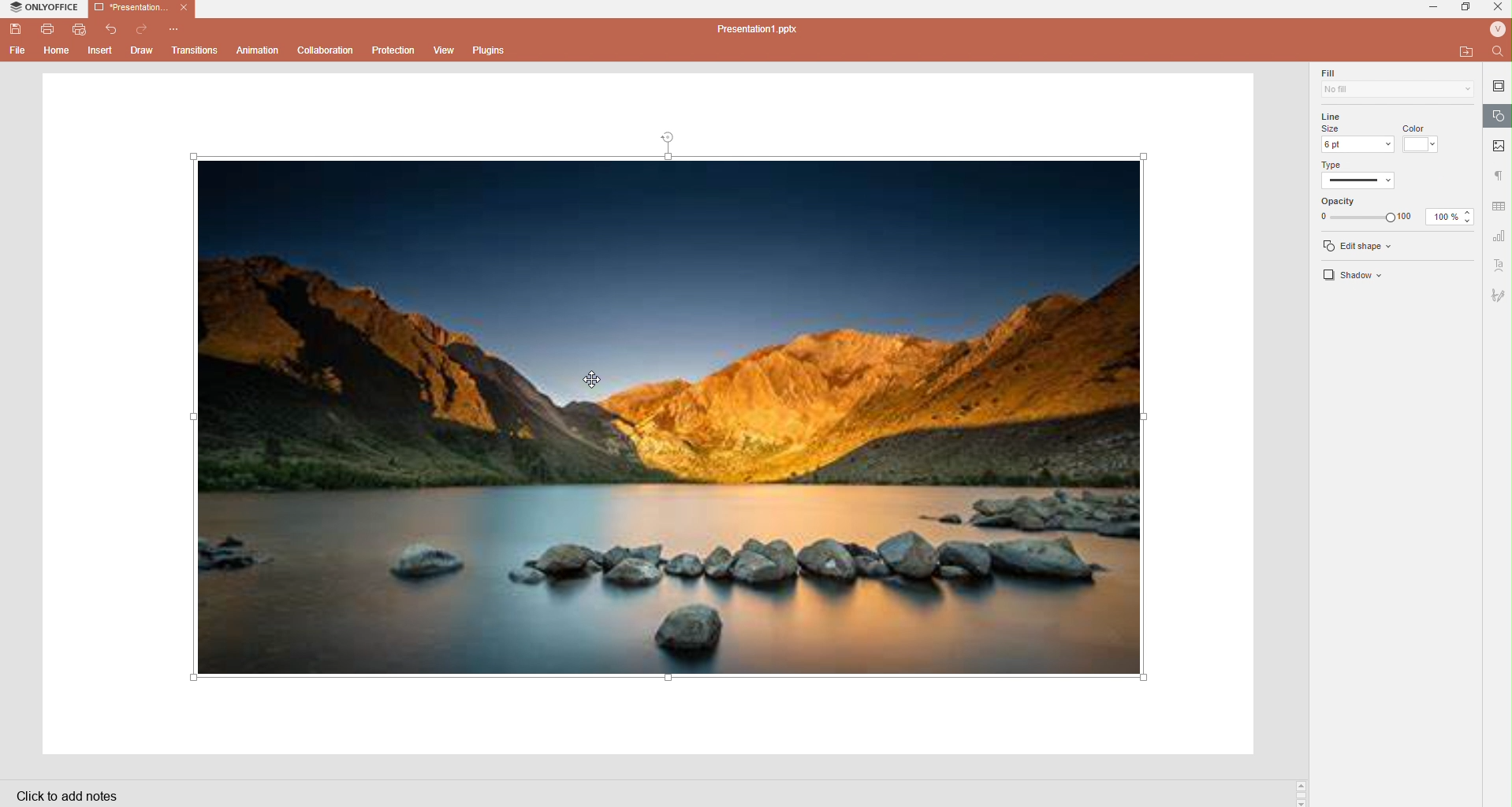  What do you see at coordinates (1499, 117) in the screenshot?
I see `Shape settings` at bounding box center [1499, 117].